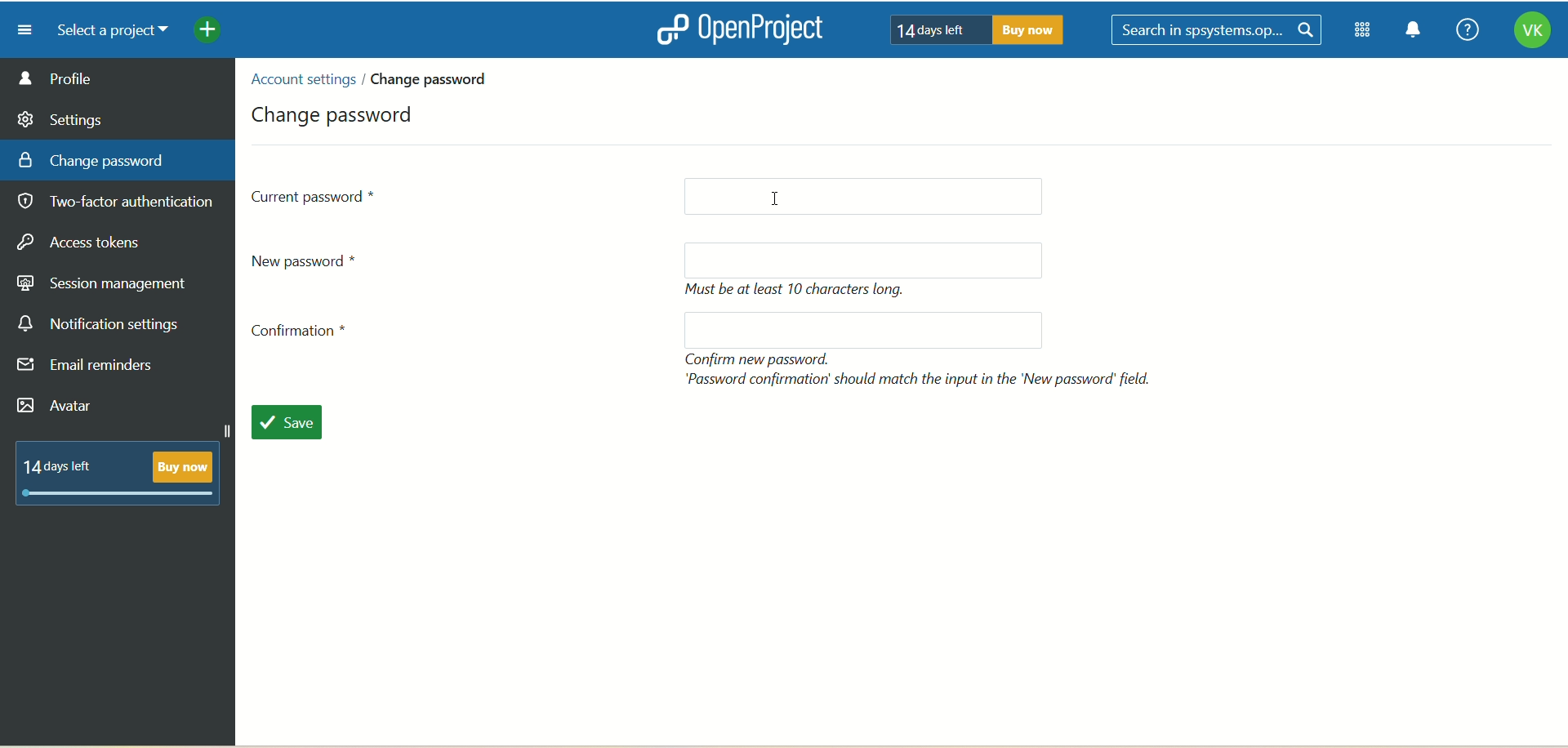  Describe the element at coordinates (312, 260) in the screenshot. I see `new password` at that location.